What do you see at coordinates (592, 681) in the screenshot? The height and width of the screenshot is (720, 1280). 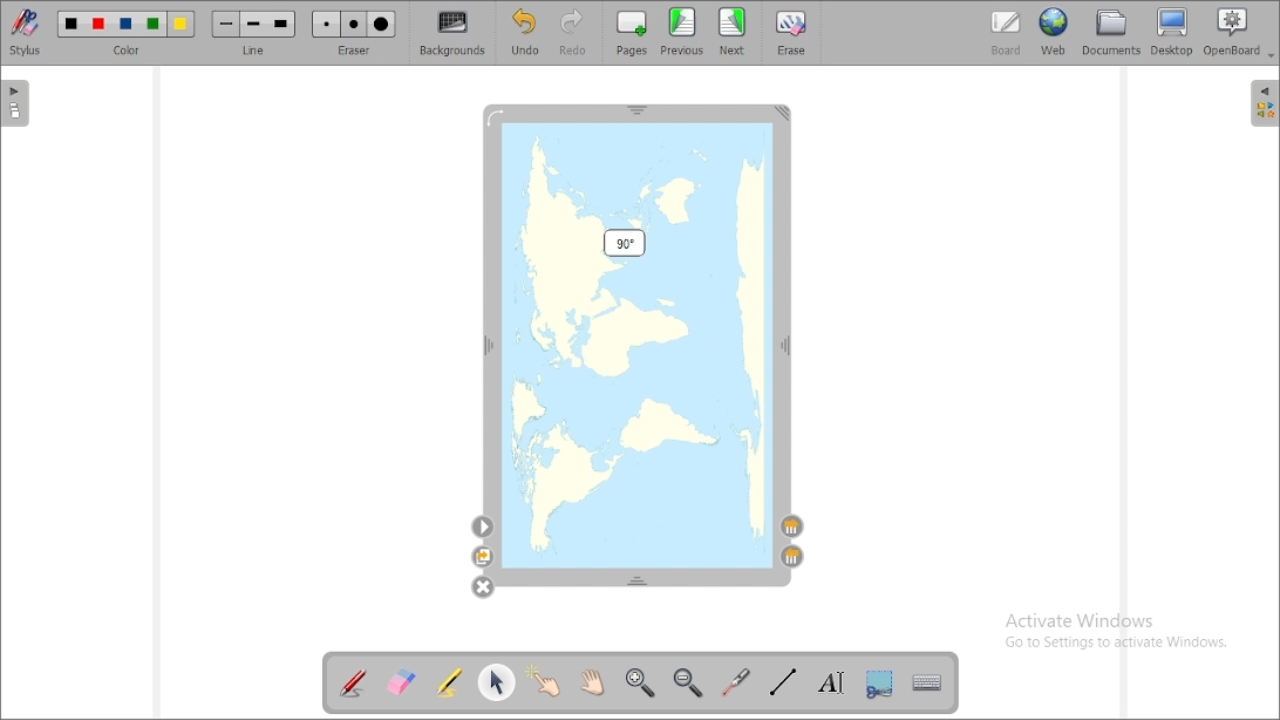 I see `scroll page` at bounding box center [592, 681].